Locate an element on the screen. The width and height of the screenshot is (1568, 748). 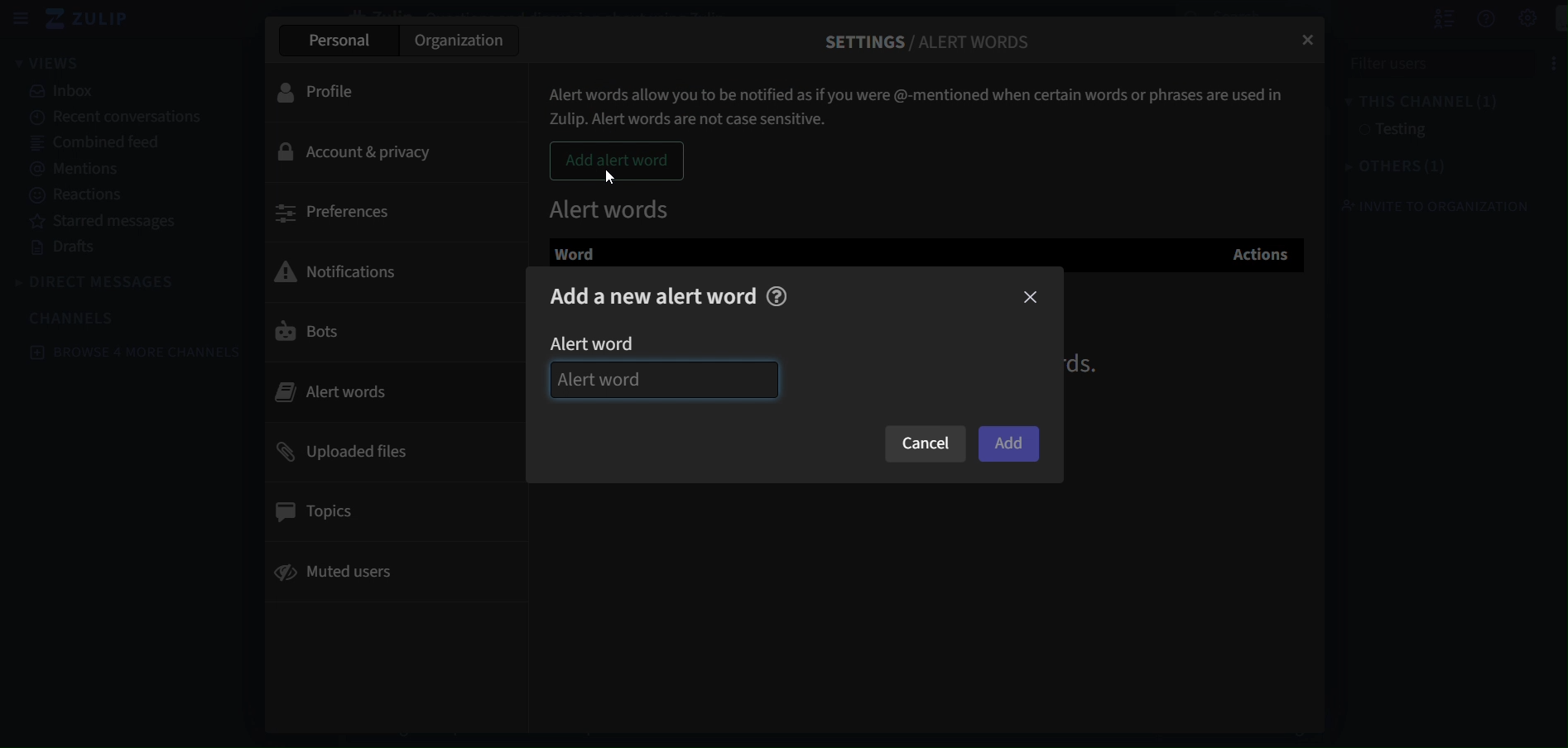
inbox is located at coordinates (64, 93).